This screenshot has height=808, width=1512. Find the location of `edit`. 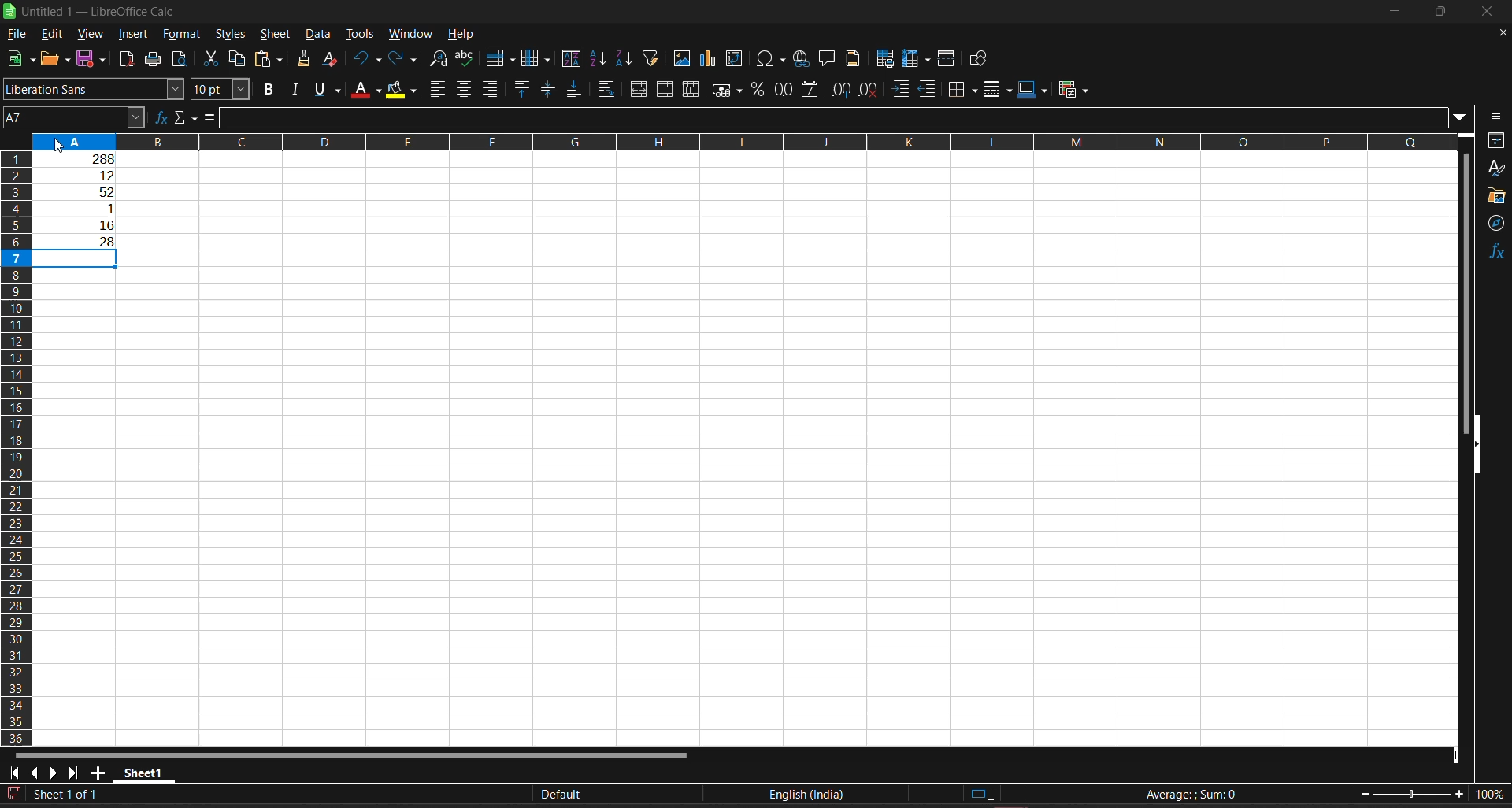

edit is located at coordinates (52, 35).